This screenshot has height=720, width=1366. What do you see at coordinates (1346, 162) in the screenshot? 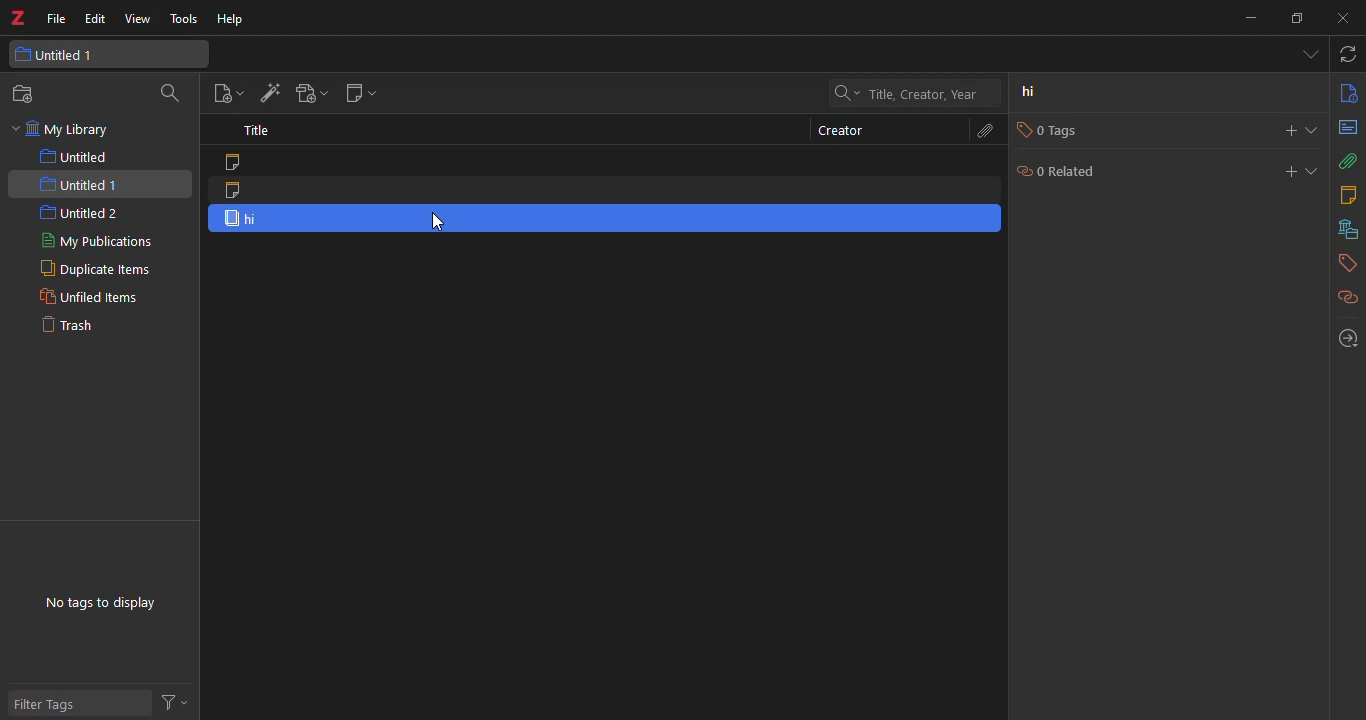
I see `attach` at bounding box center [1346, 162].